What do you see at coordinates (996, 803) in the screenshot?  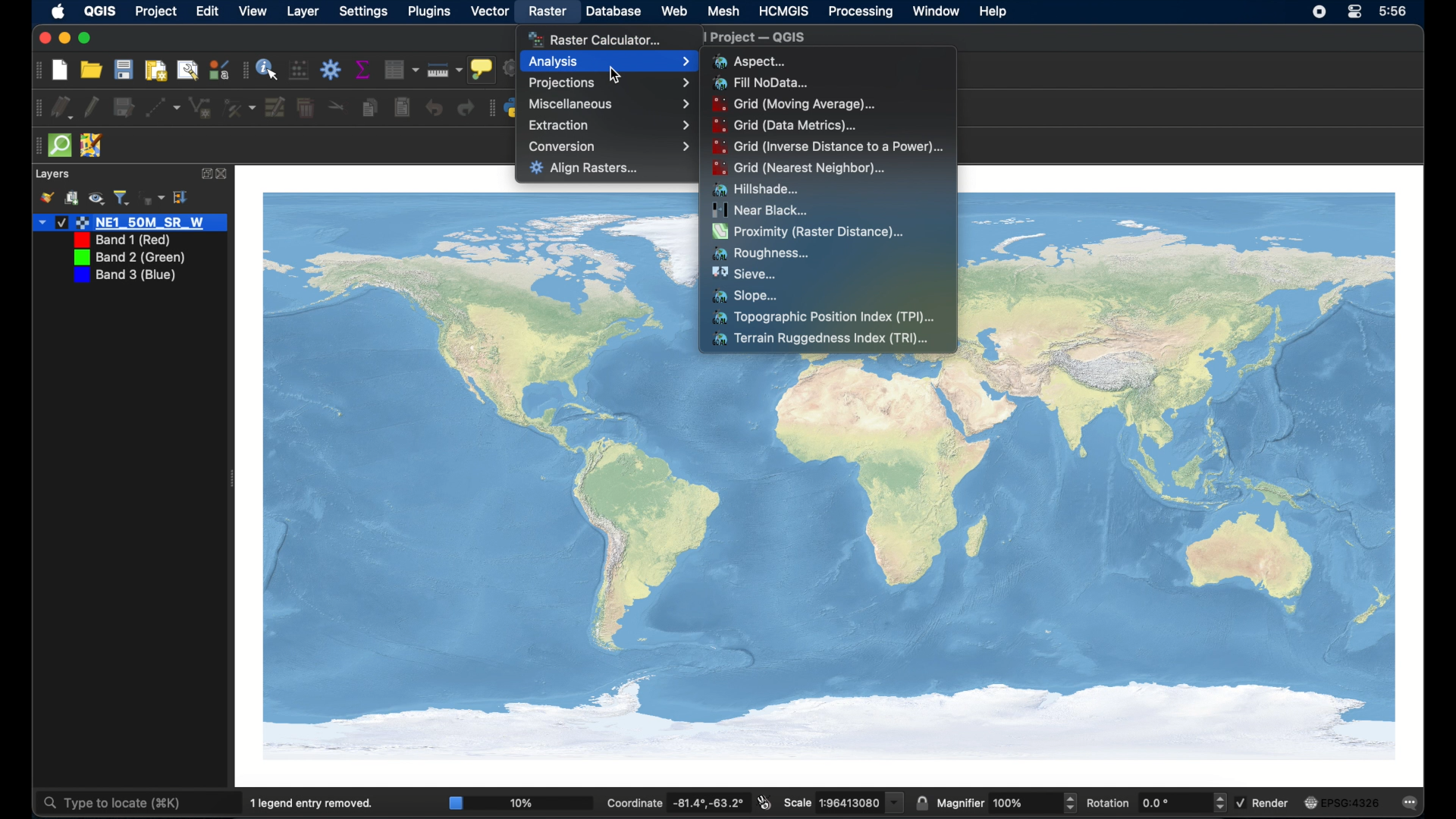 I see `magnifier` at bounding box center [996, 803].